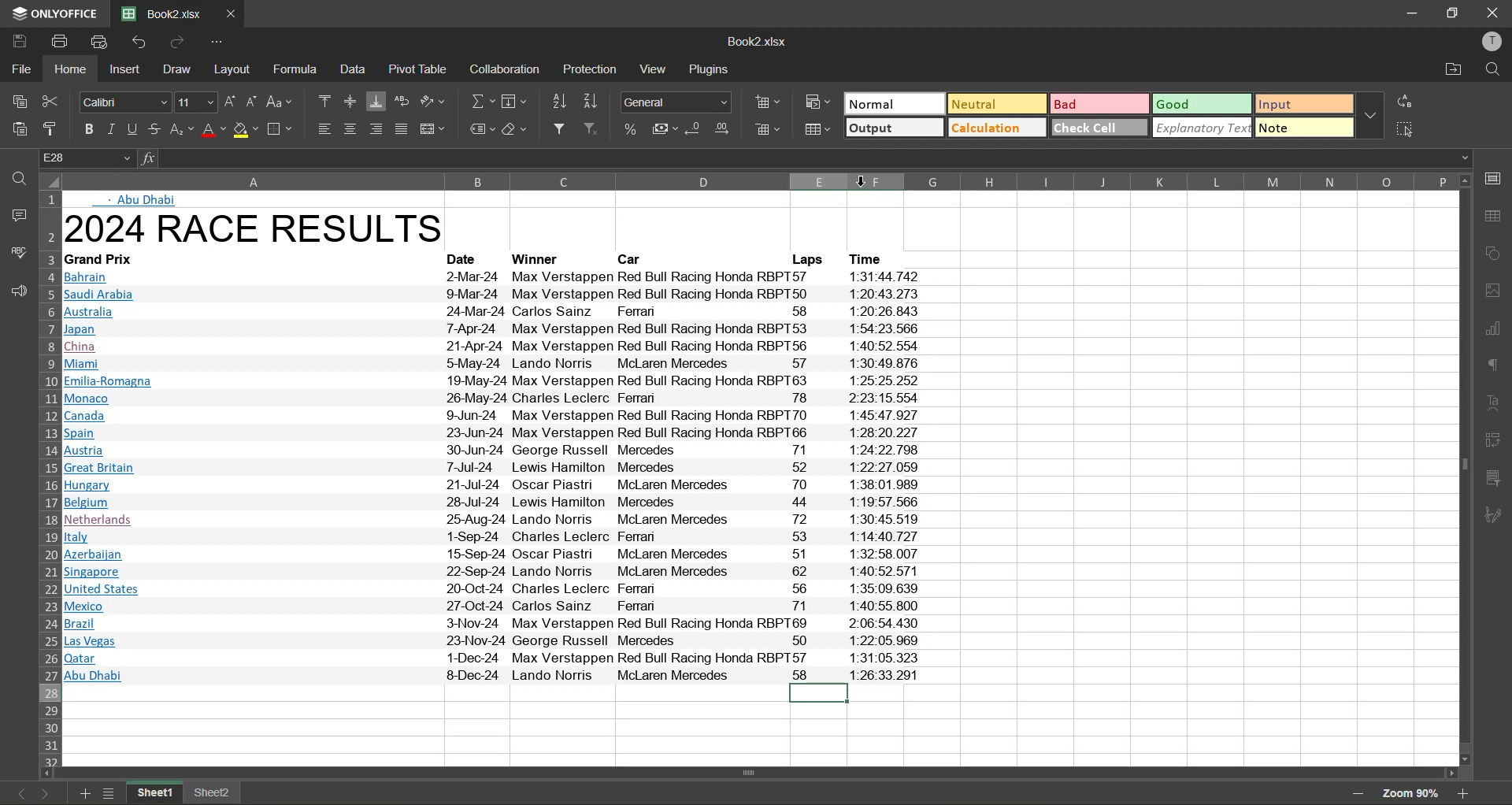 The height and width of the screenshot is (805, 1512). Describe the element at coordinates (995, 128) in the screenshot. I see `calculation` at that location.